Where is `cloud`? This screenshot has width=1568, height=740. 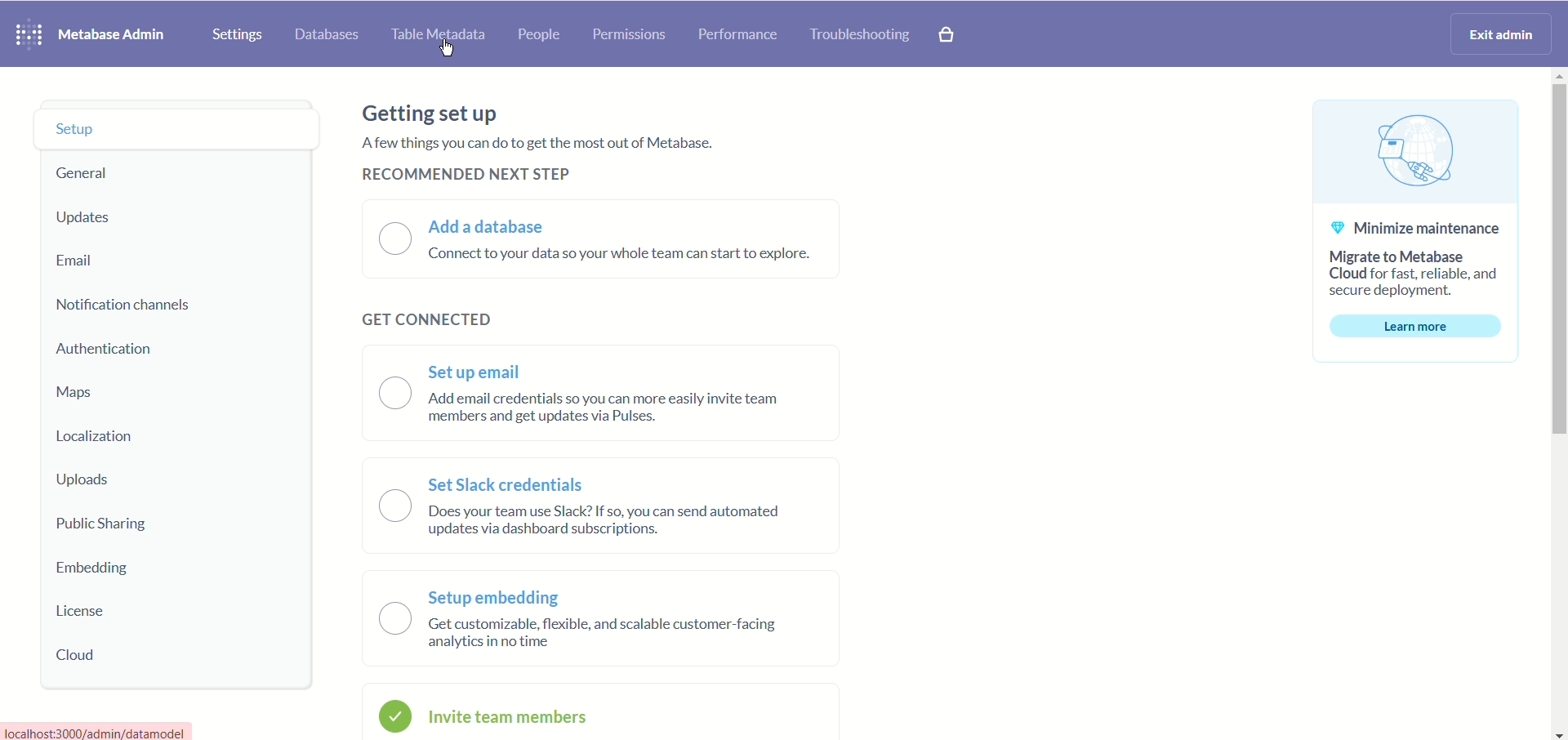
cloud is located at coordinates (136, 658).